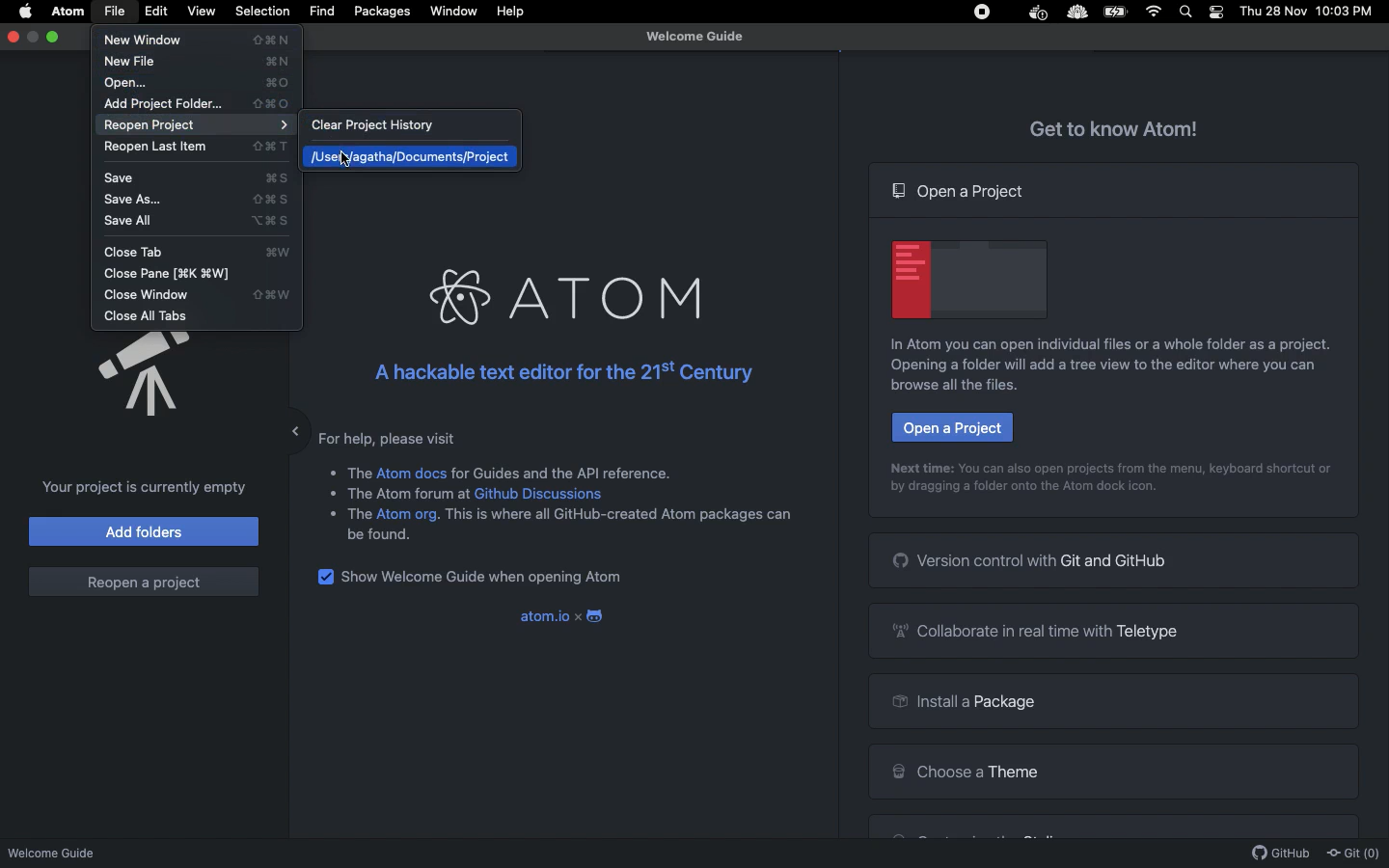 The image size is (1389, 868). What do you see at coordinates (409, 156) in the screenshot?
I see `Recent project` at bounding box center [409, 156].